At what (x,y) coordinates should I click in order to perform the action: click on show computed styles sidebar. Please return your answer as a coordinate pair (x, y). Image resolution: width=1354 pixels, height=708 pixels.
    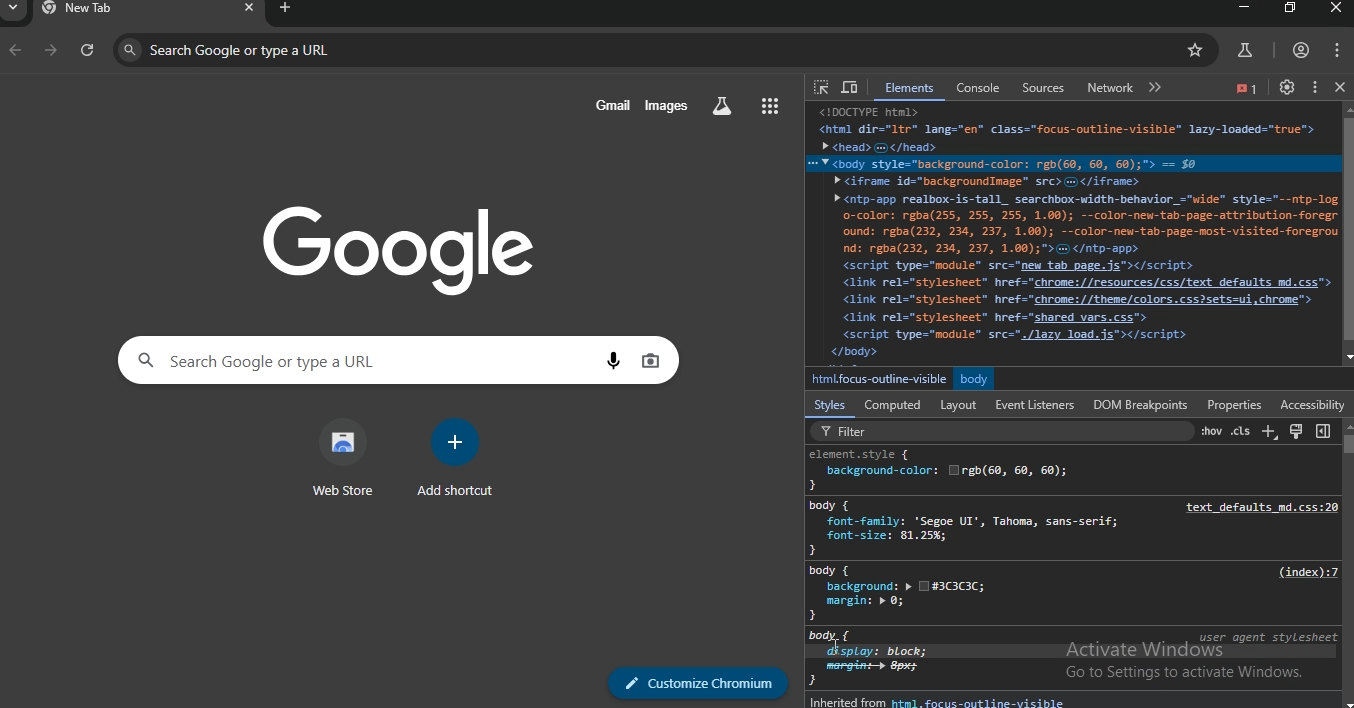
    Looking at the image, I should click on (1323, 433).